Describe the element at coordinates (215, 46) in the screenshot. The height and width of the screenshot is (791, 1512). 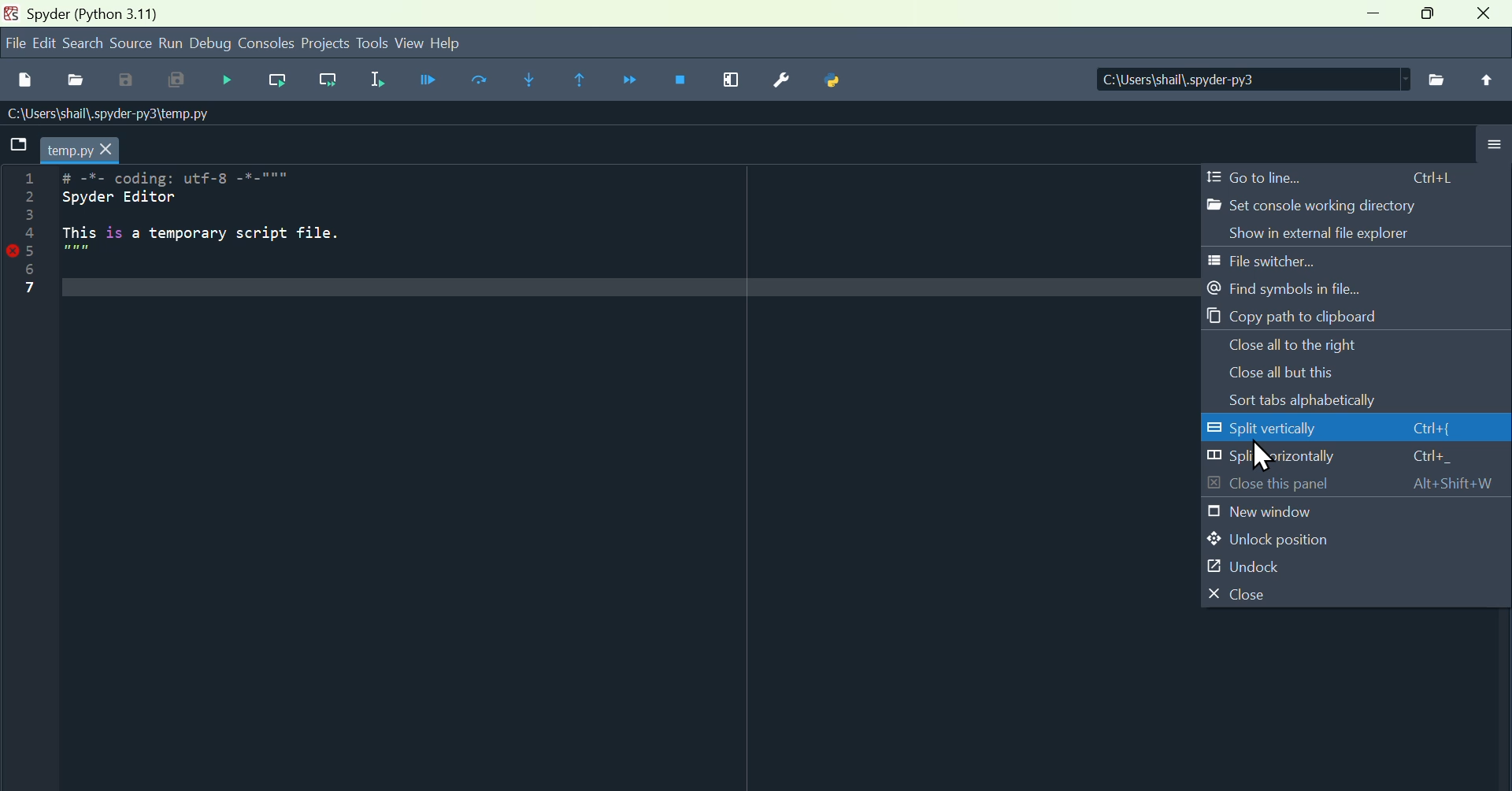
I see `Debug` at that location.